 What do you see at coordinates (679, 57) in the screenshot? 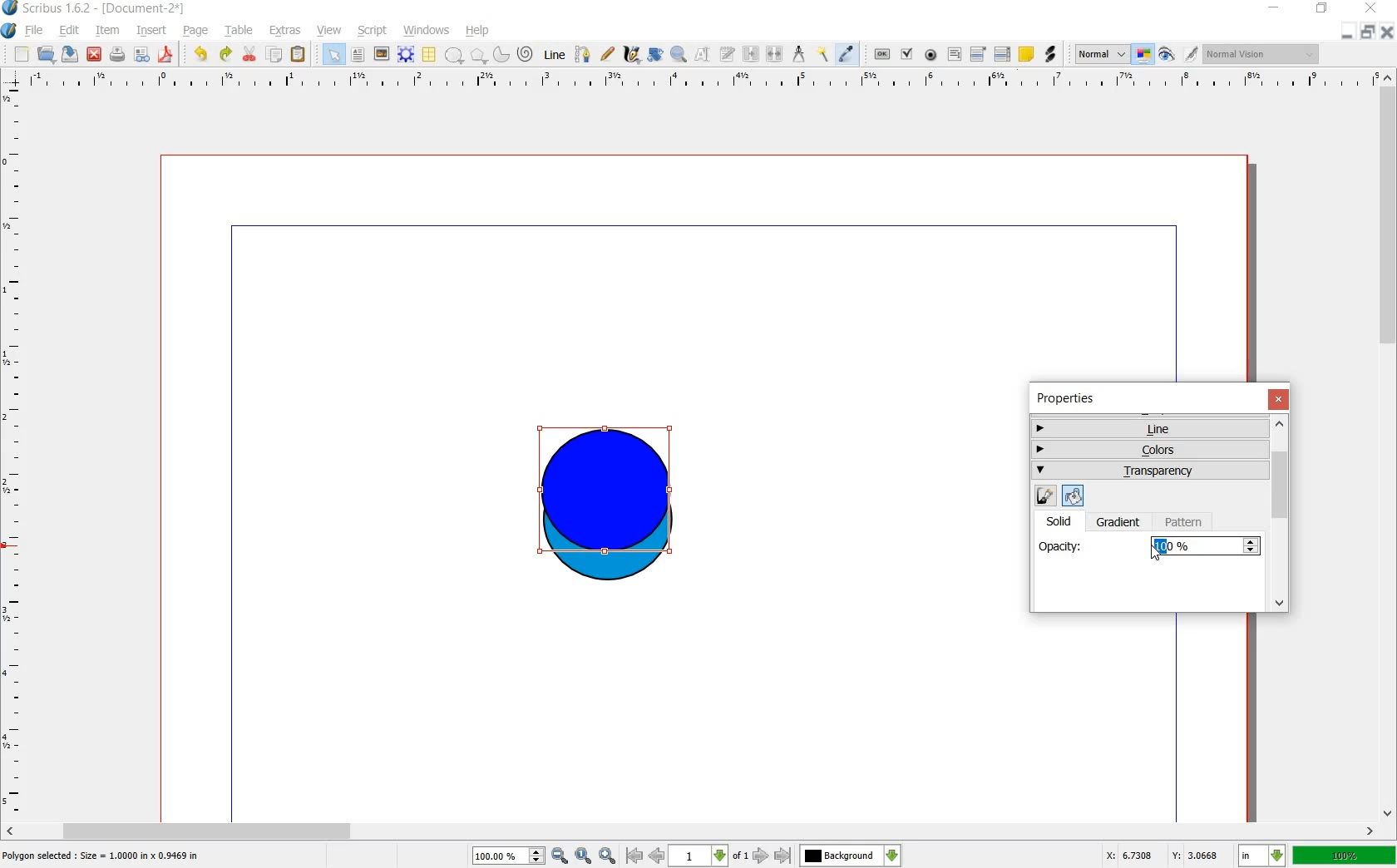
I see `zoom in or out` at bounding box center [679, 57].